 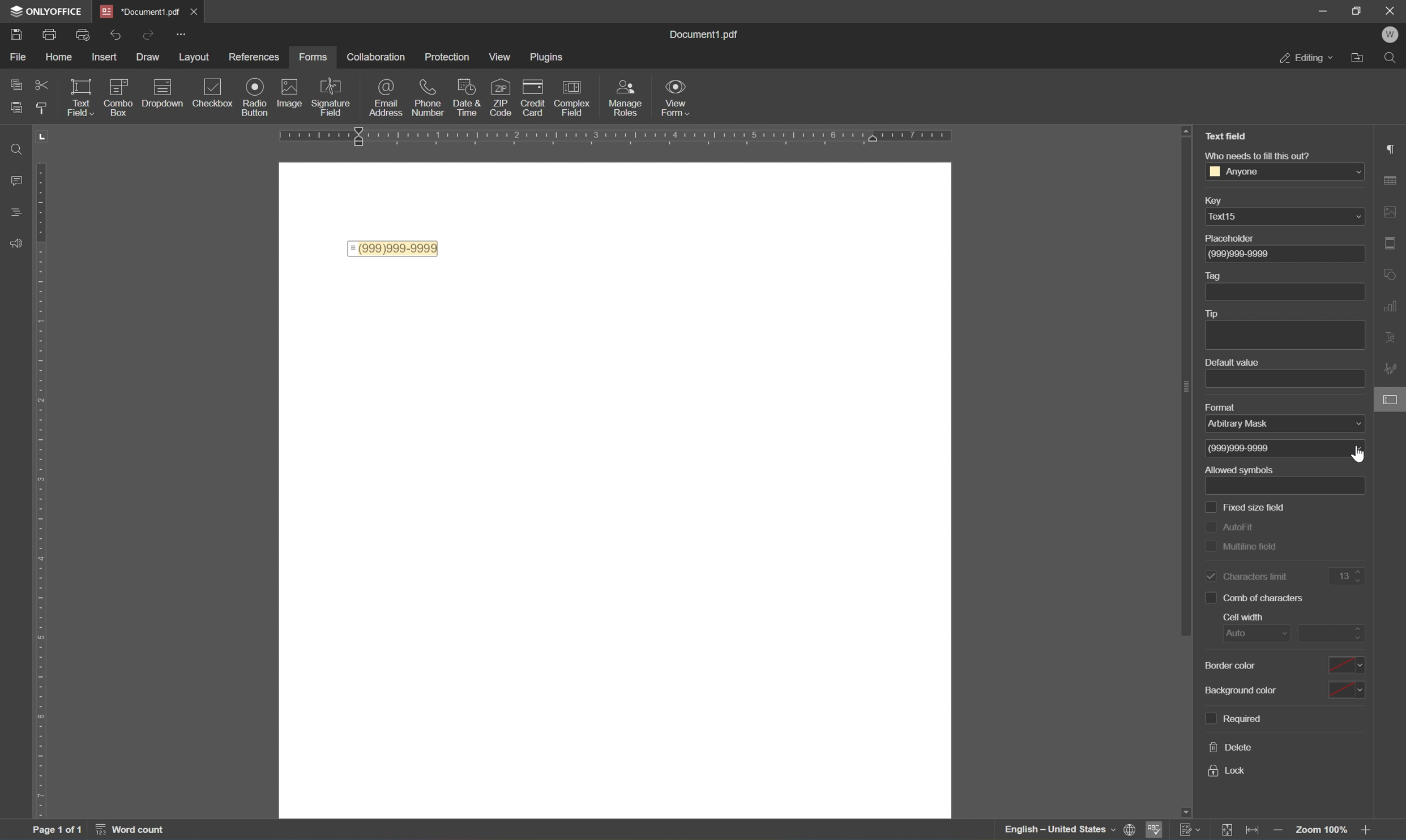 What do you see at coordinates (165, 88) in the screenshot?
I see `dropdown` at bounding box center [165, 88].